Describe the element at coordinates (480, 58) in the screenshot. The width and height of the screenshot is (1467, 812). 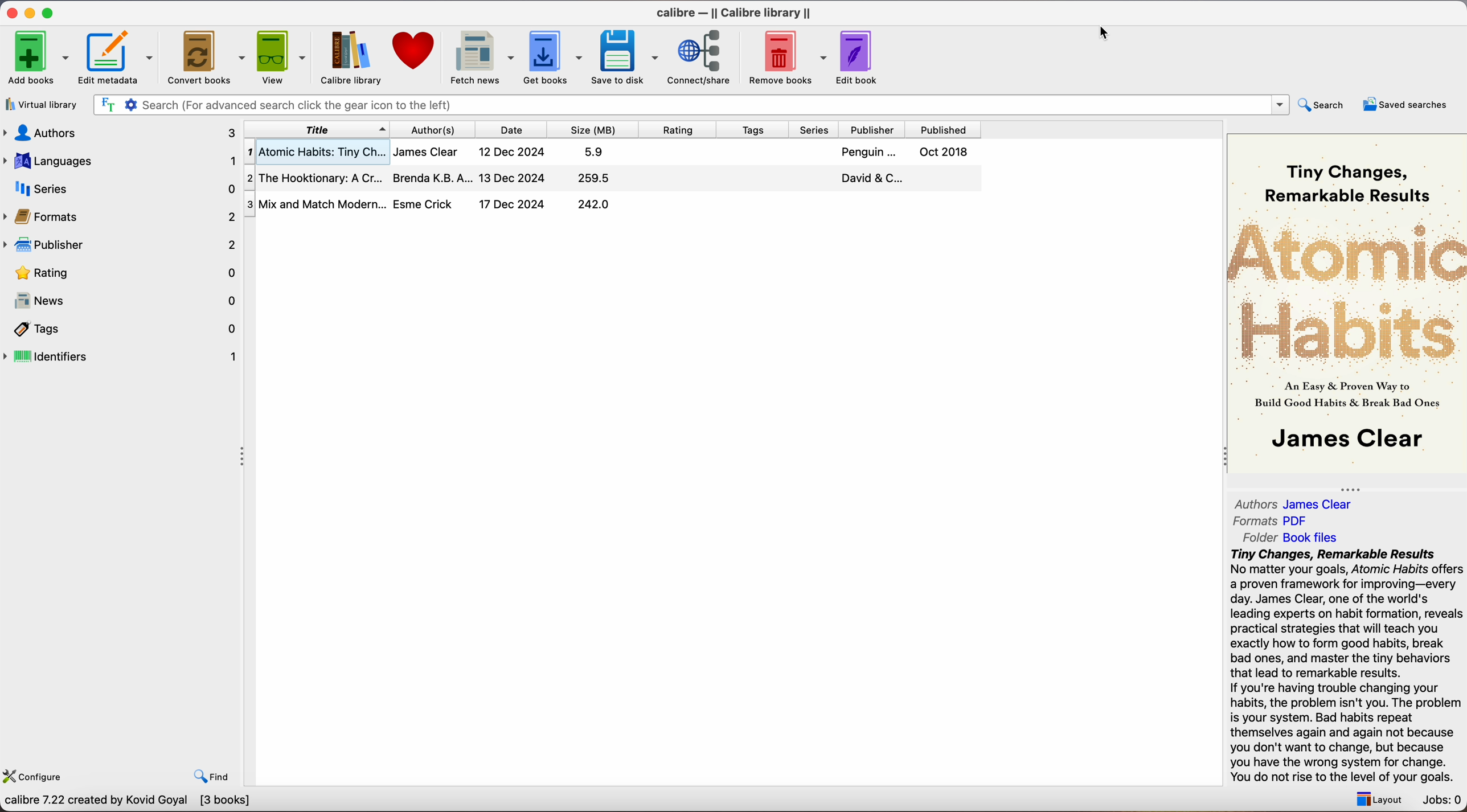
I see `fetch news` at that location.